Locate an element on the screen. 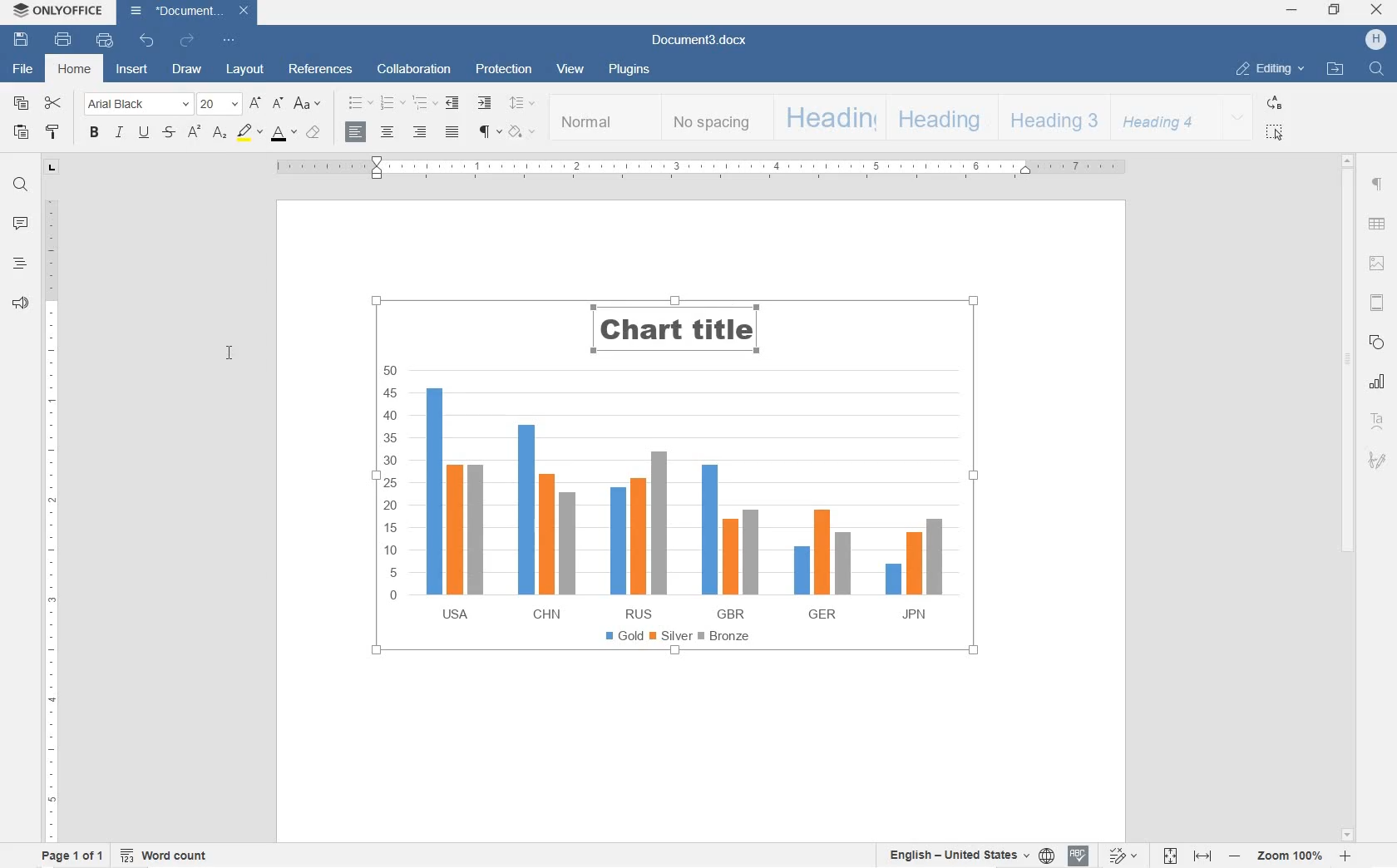 The image size is (1397, 868). EXPAND FORMATTING STYLE is located at coordinates (1237, 118).